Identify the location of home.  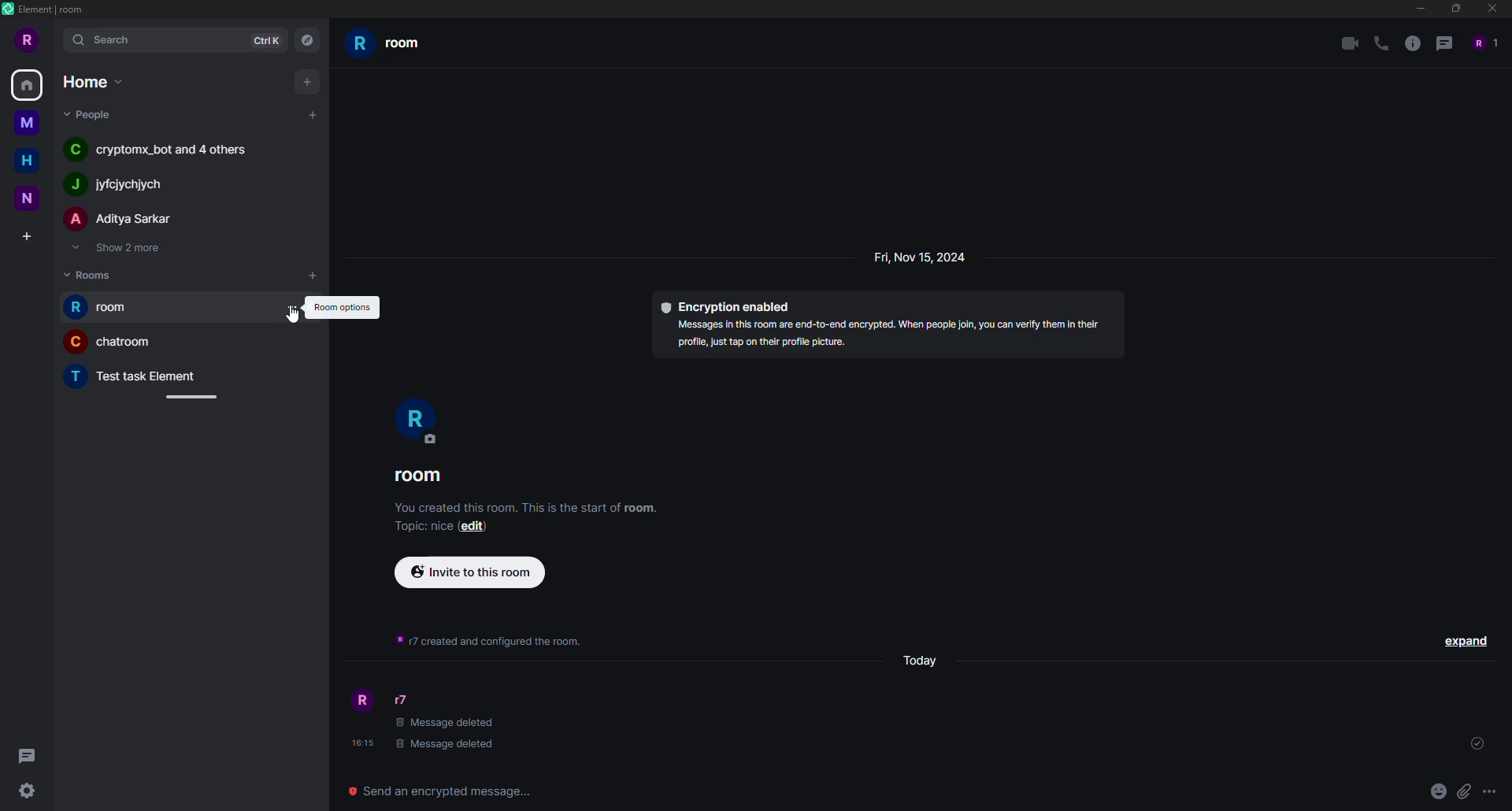
(91, 81).